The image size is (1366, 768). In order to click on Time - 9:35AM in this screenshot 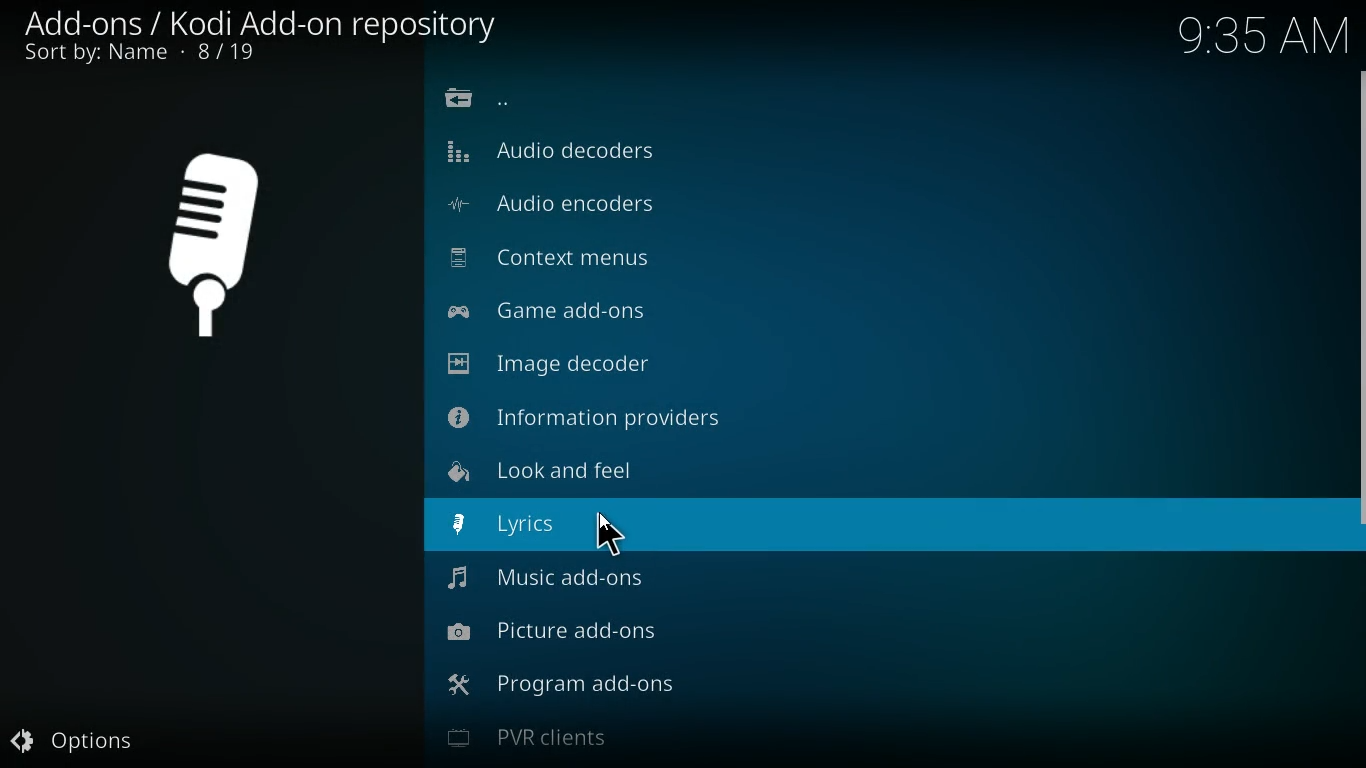, I will do `click(1263, 35)`.